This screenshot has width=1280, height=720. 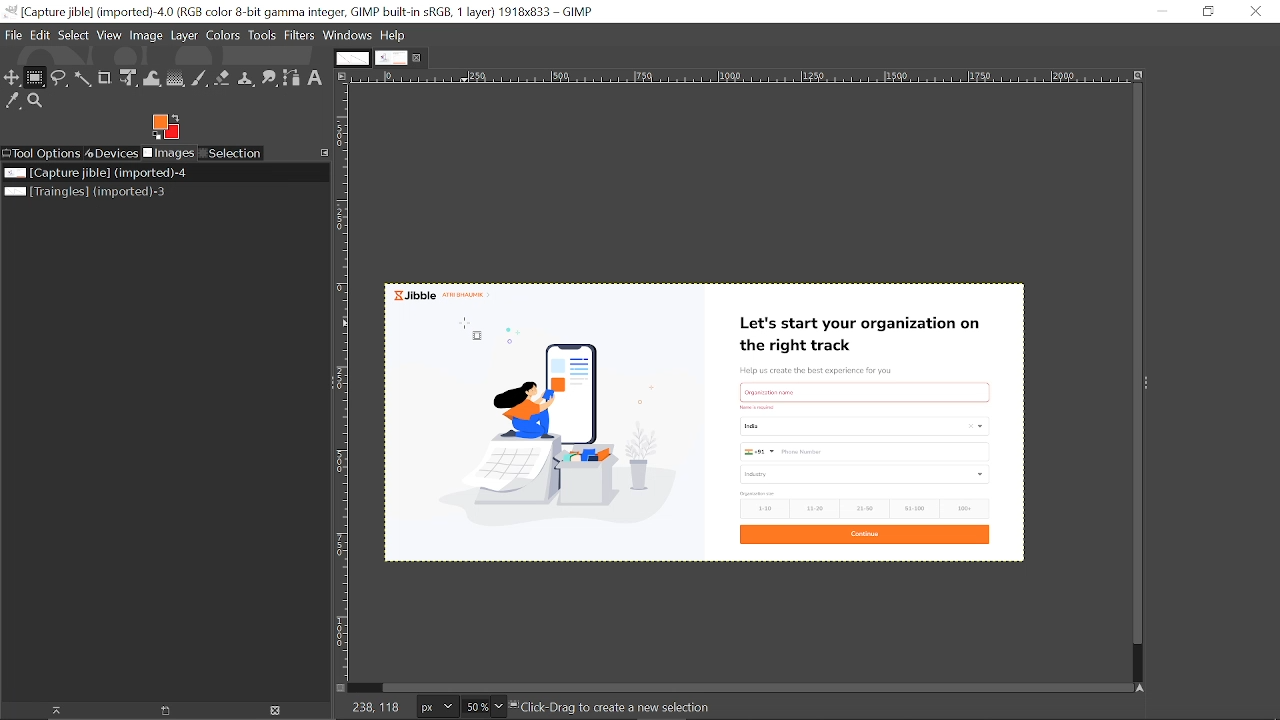 What do you see at coordinates (58, 79) in the screenshot?
I see `Free select tool` at bounding box center [58, 79].